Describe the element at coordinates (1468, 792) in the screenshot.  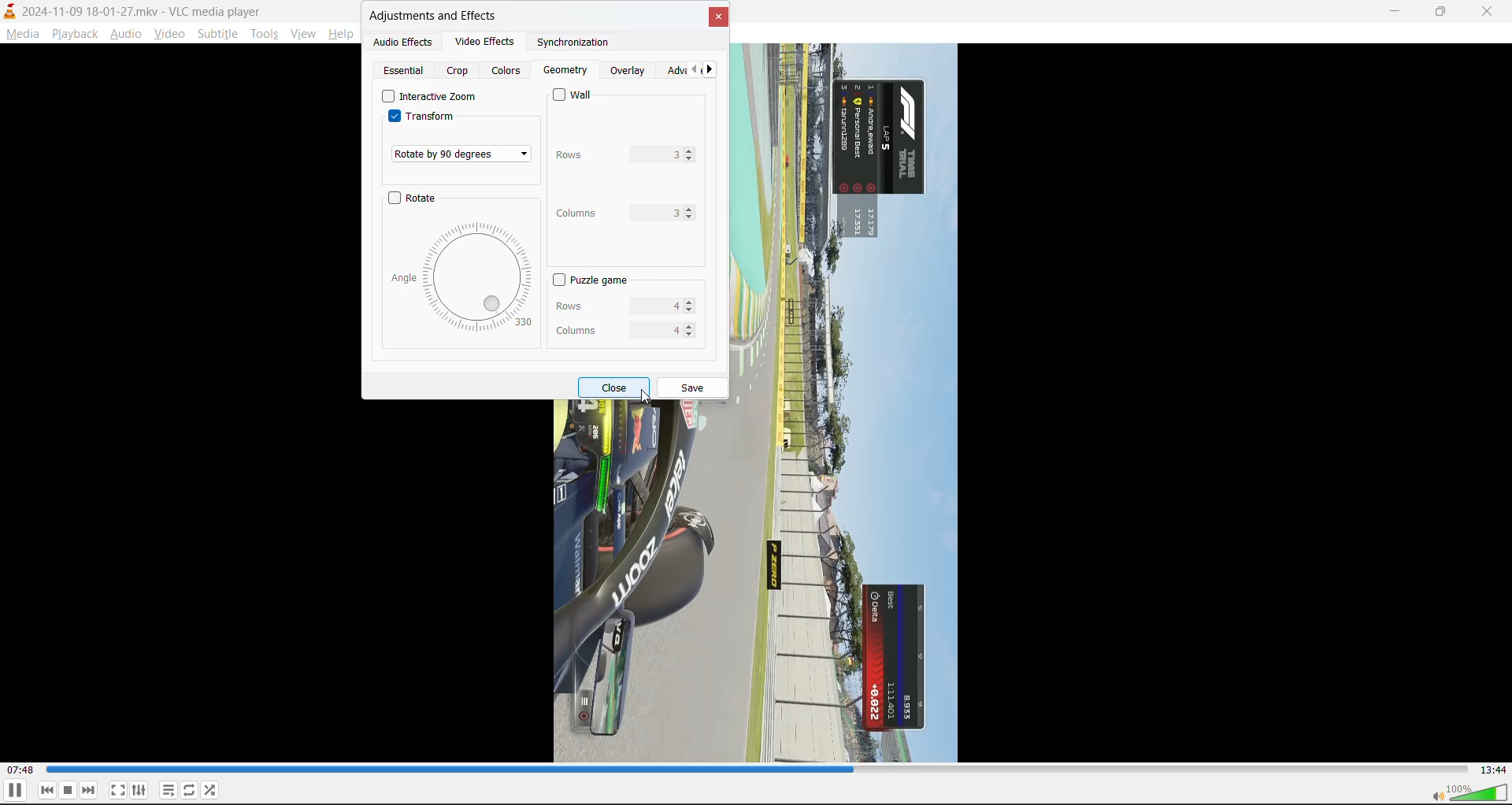
I see `volume` at that location.